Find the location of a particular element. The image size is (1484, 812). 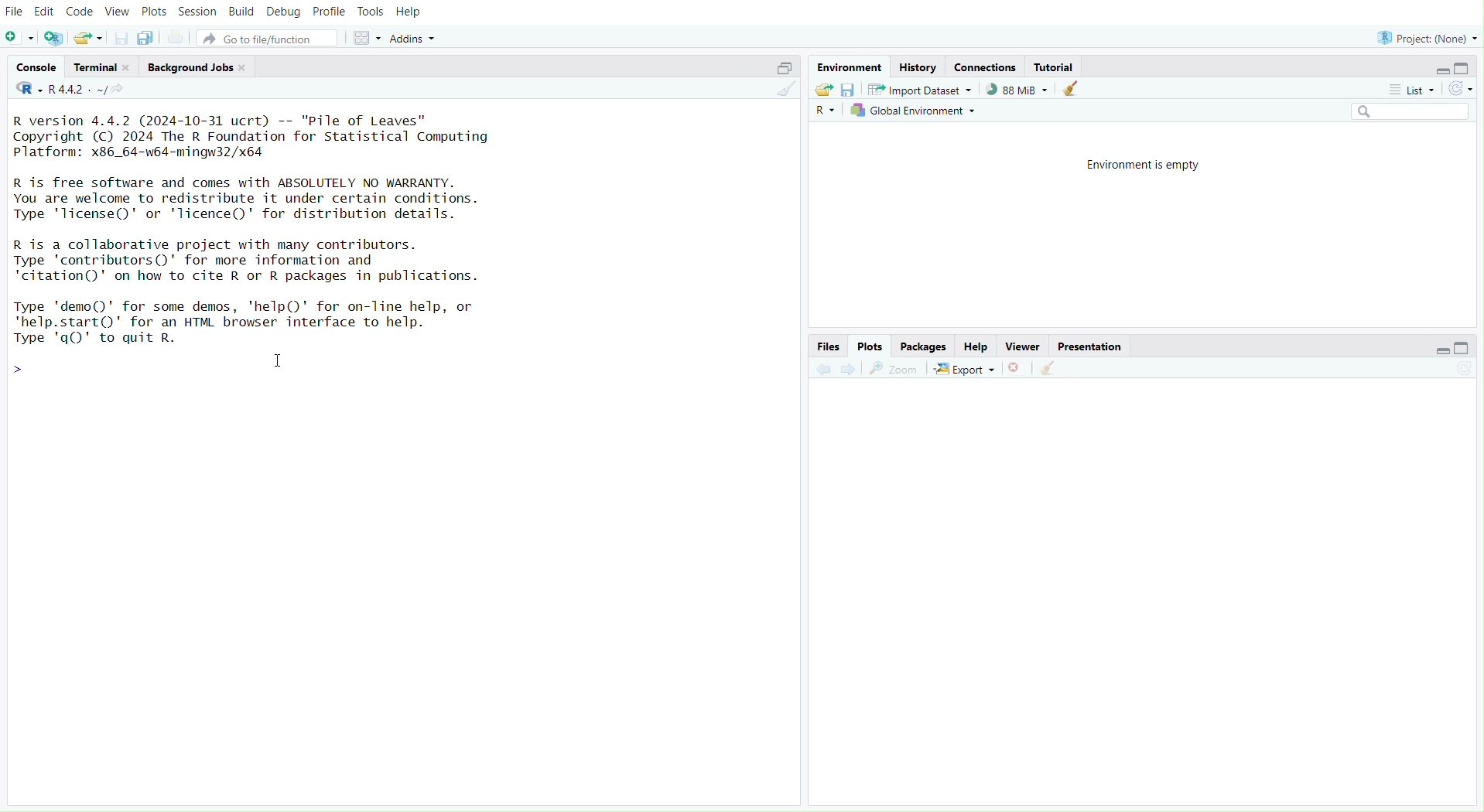

Packages is located at coordinates (923, 347).